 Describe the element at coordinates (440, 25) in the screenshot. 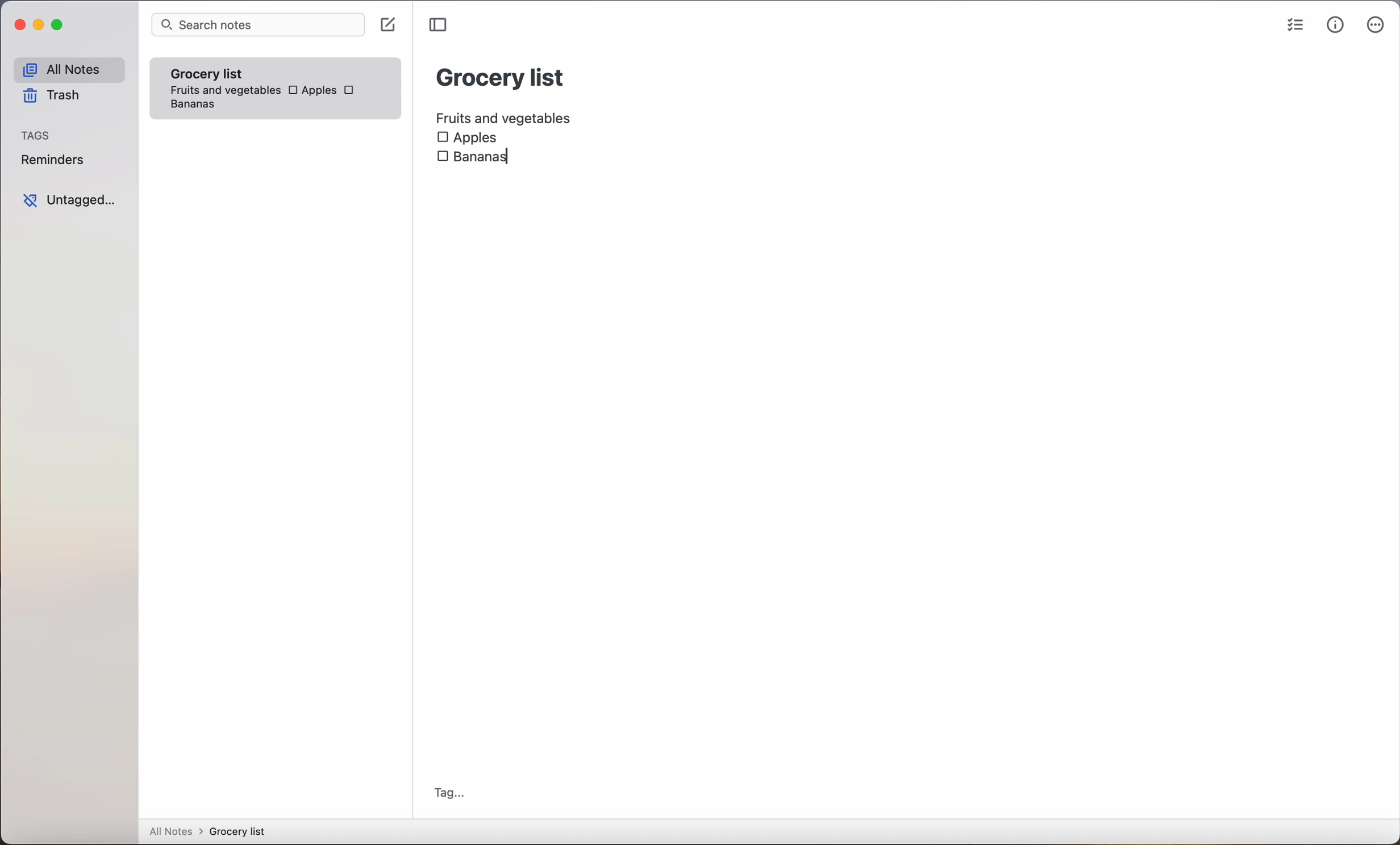

I see `toggle sidebar` at that location.